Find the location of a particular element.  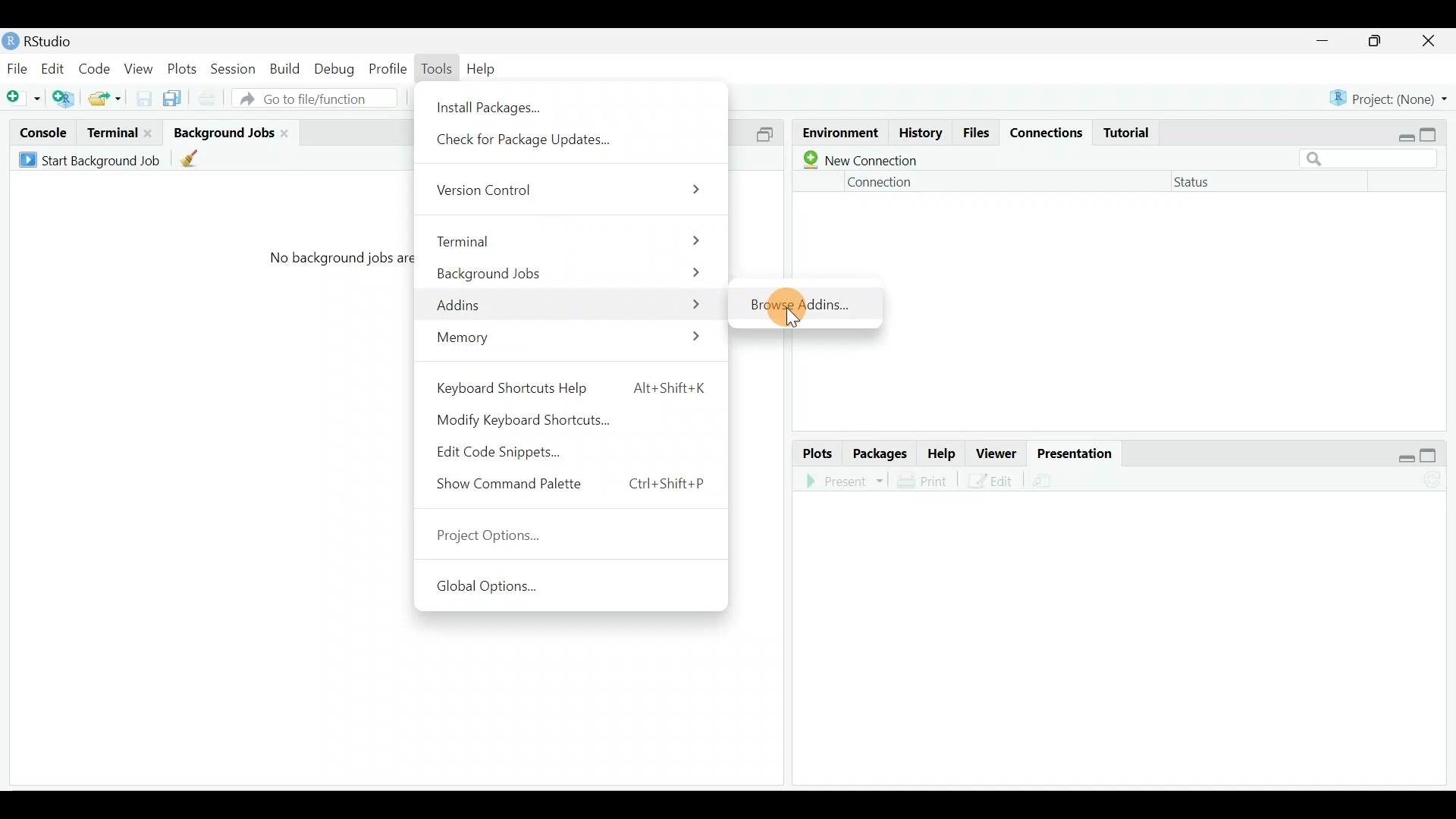

Edit is located at coordinates (992, 482).